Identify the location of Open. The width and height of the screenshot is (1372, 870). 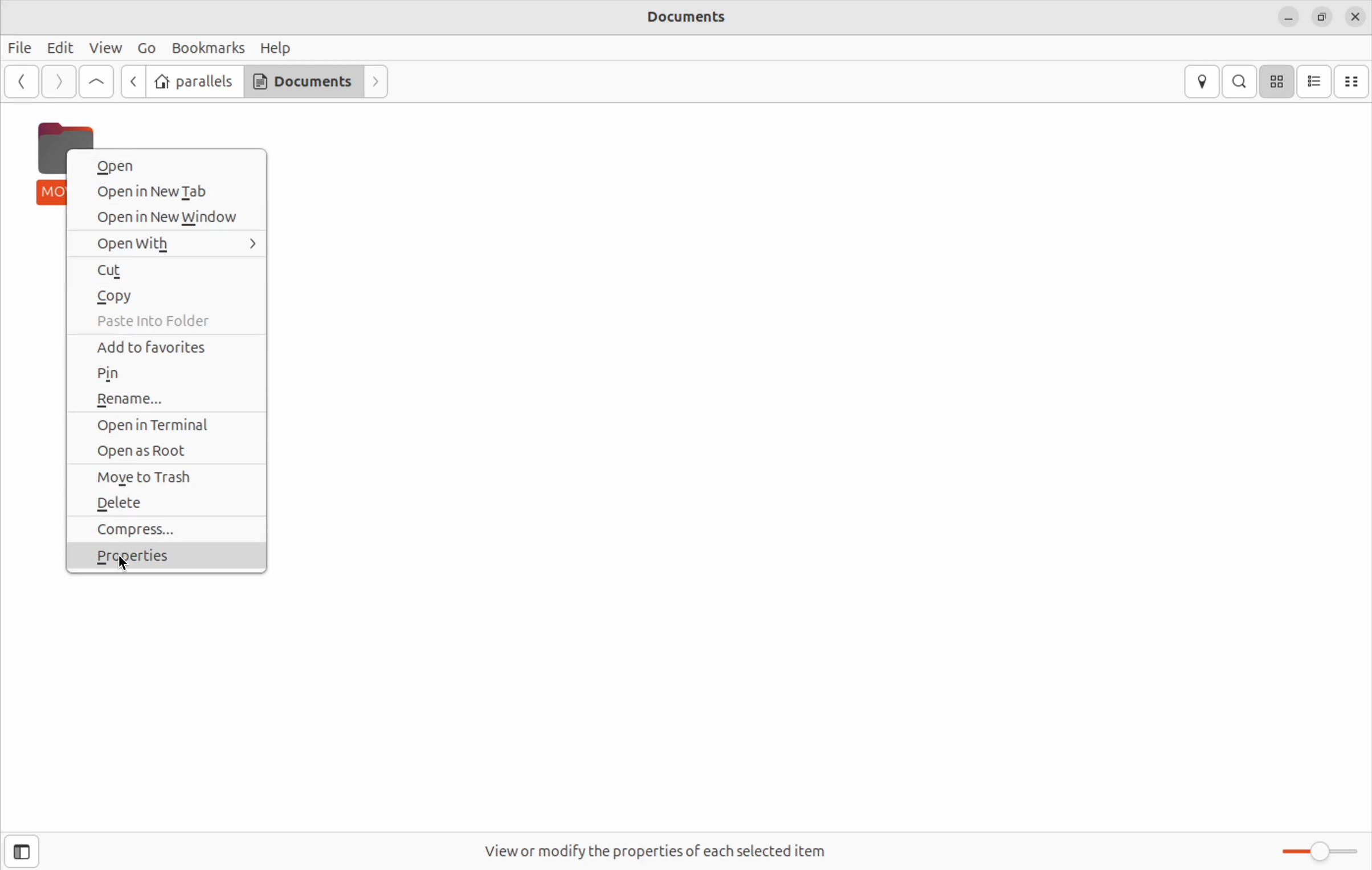
(163, 165).